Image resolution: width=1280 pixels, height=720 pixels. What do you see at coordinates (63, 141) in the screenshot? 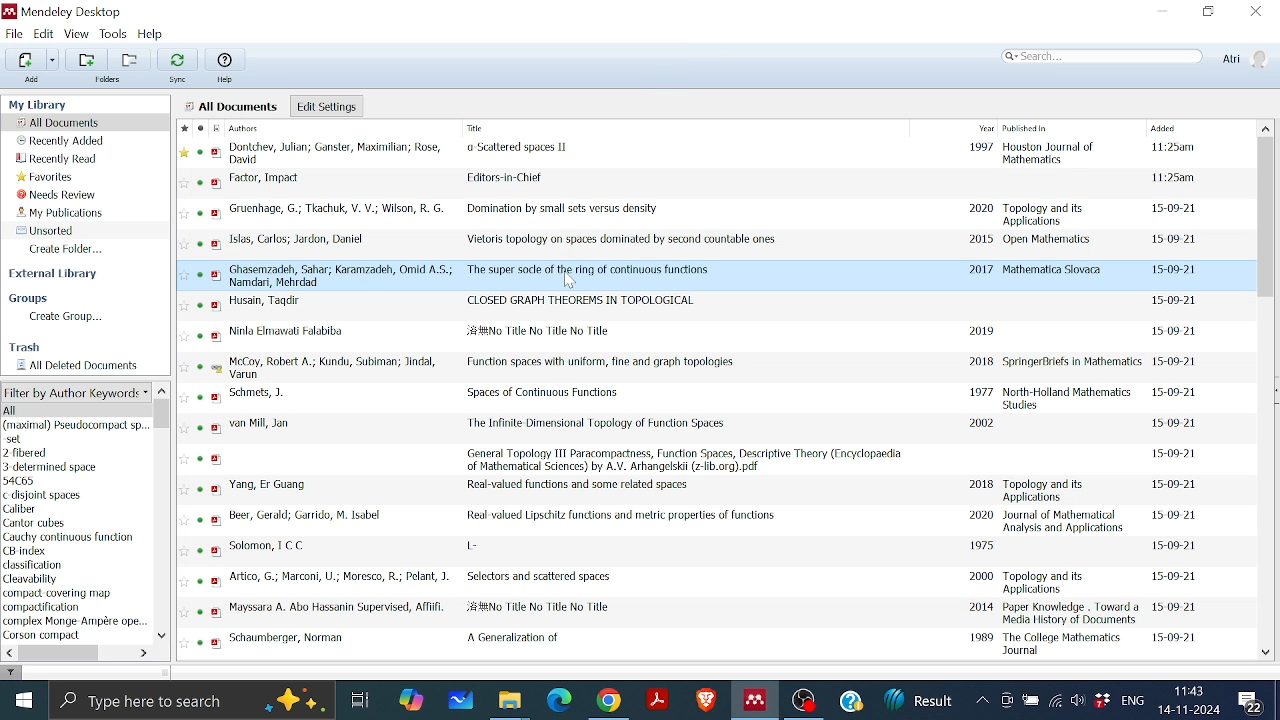
I see `Recently added` at bounding box center [63, 141].